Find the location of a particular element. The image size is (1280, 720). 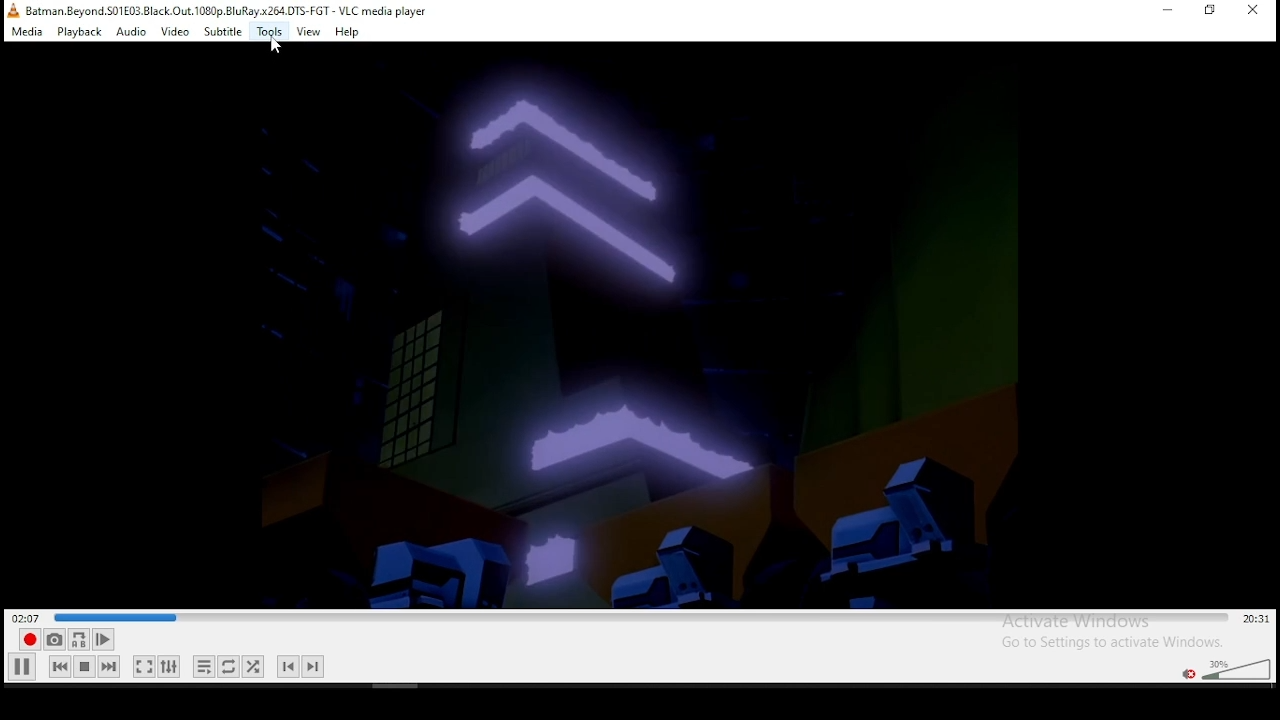

frame by frame is located at coordinates (103, 639).